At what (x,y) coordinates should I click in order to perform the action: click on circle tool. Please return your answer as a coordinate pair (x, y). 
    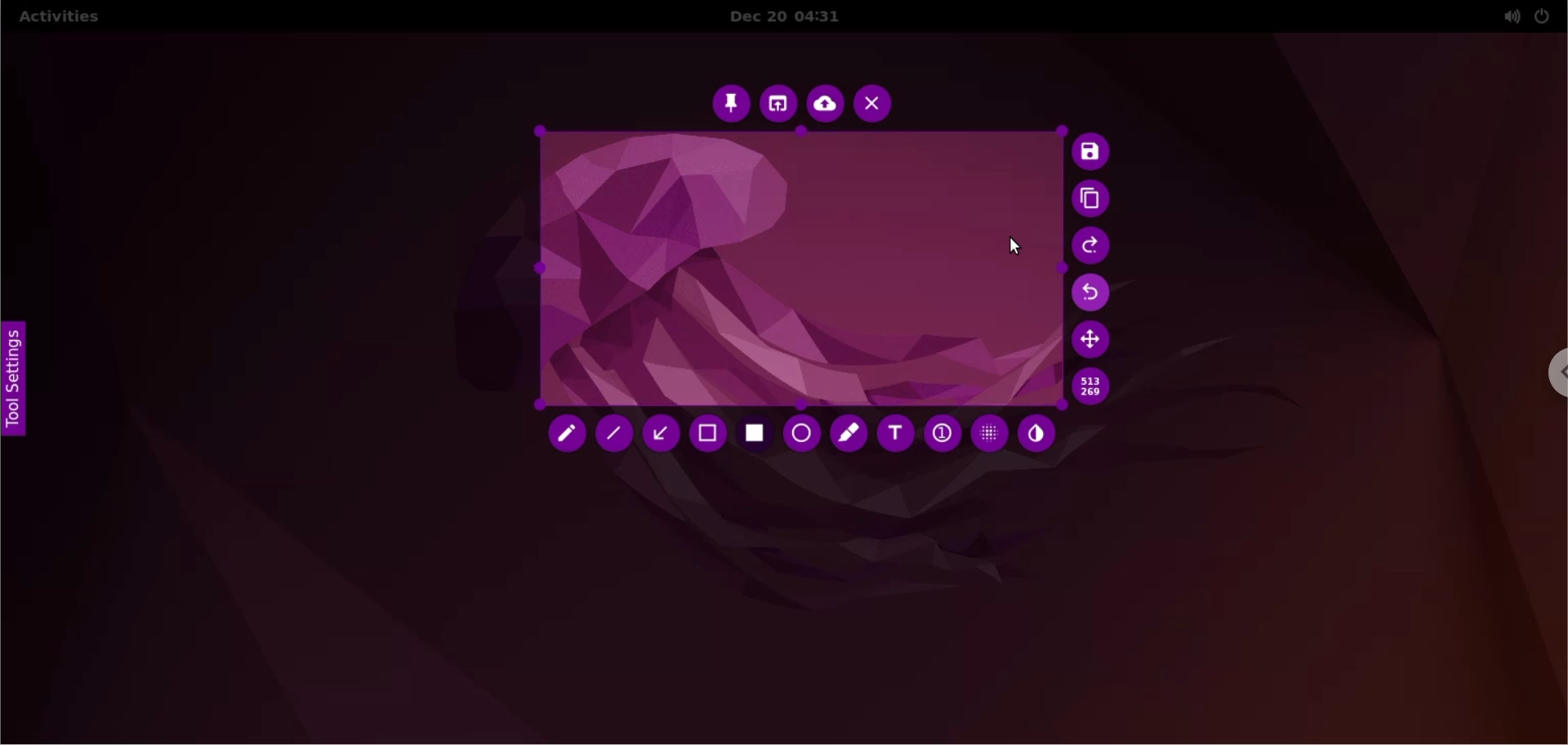
    Looking at the image, I should click on (801, 434).